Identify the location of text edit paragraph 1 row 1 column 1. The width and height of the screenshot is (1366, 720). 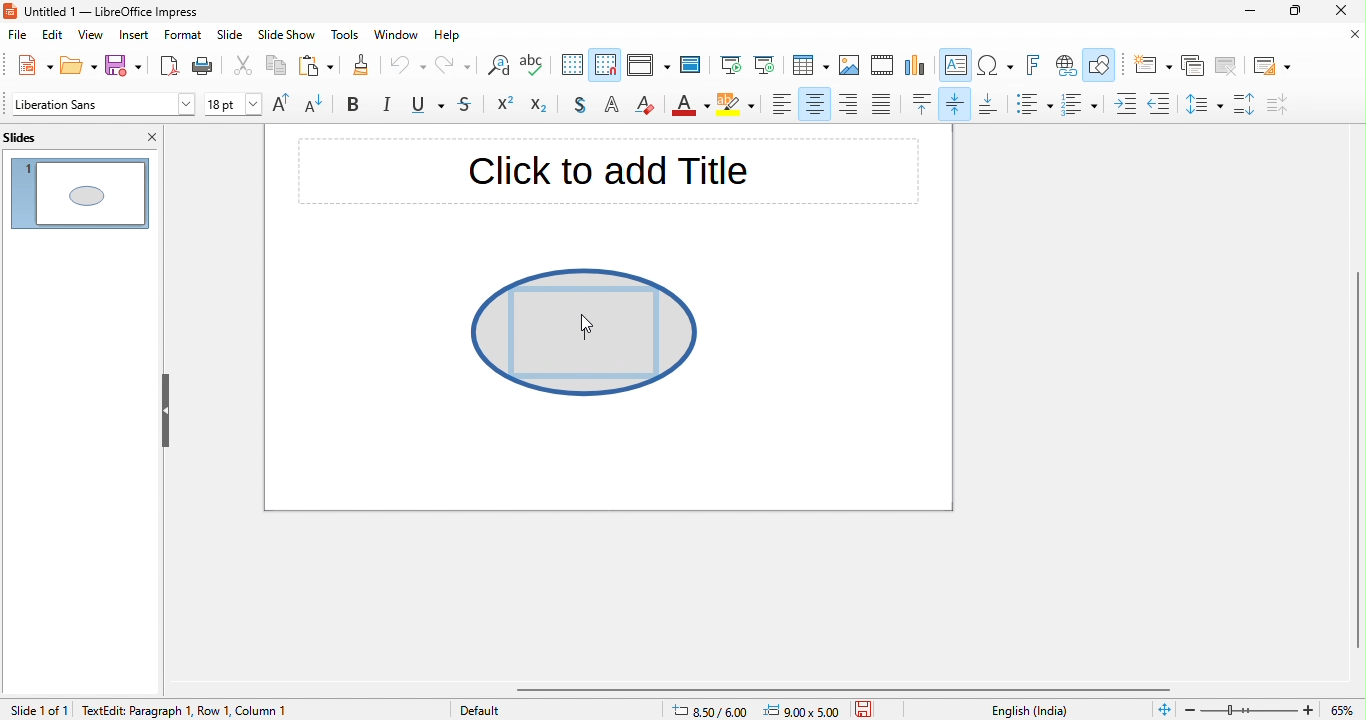
(238, 709).